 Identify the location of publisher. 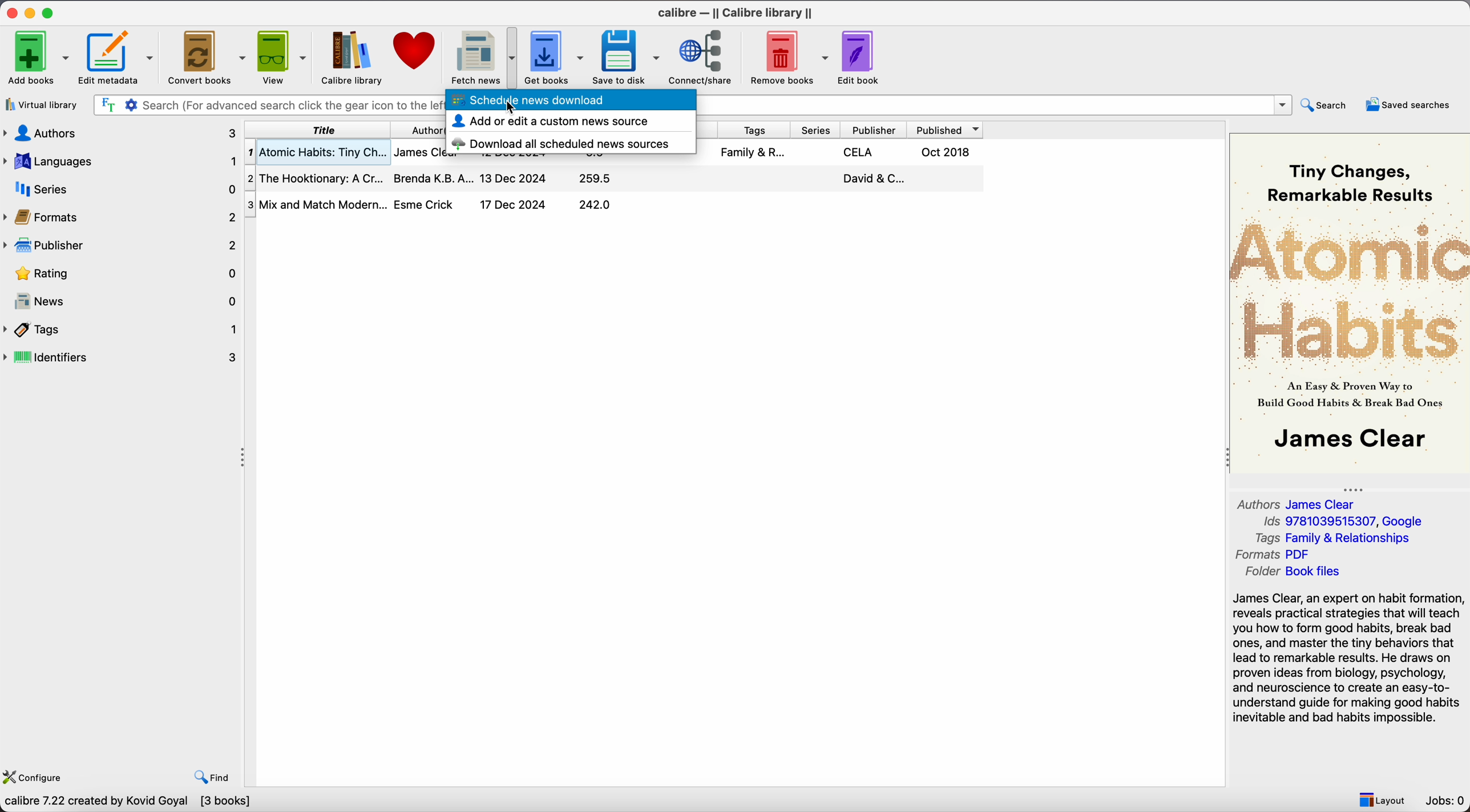
(879, 130).